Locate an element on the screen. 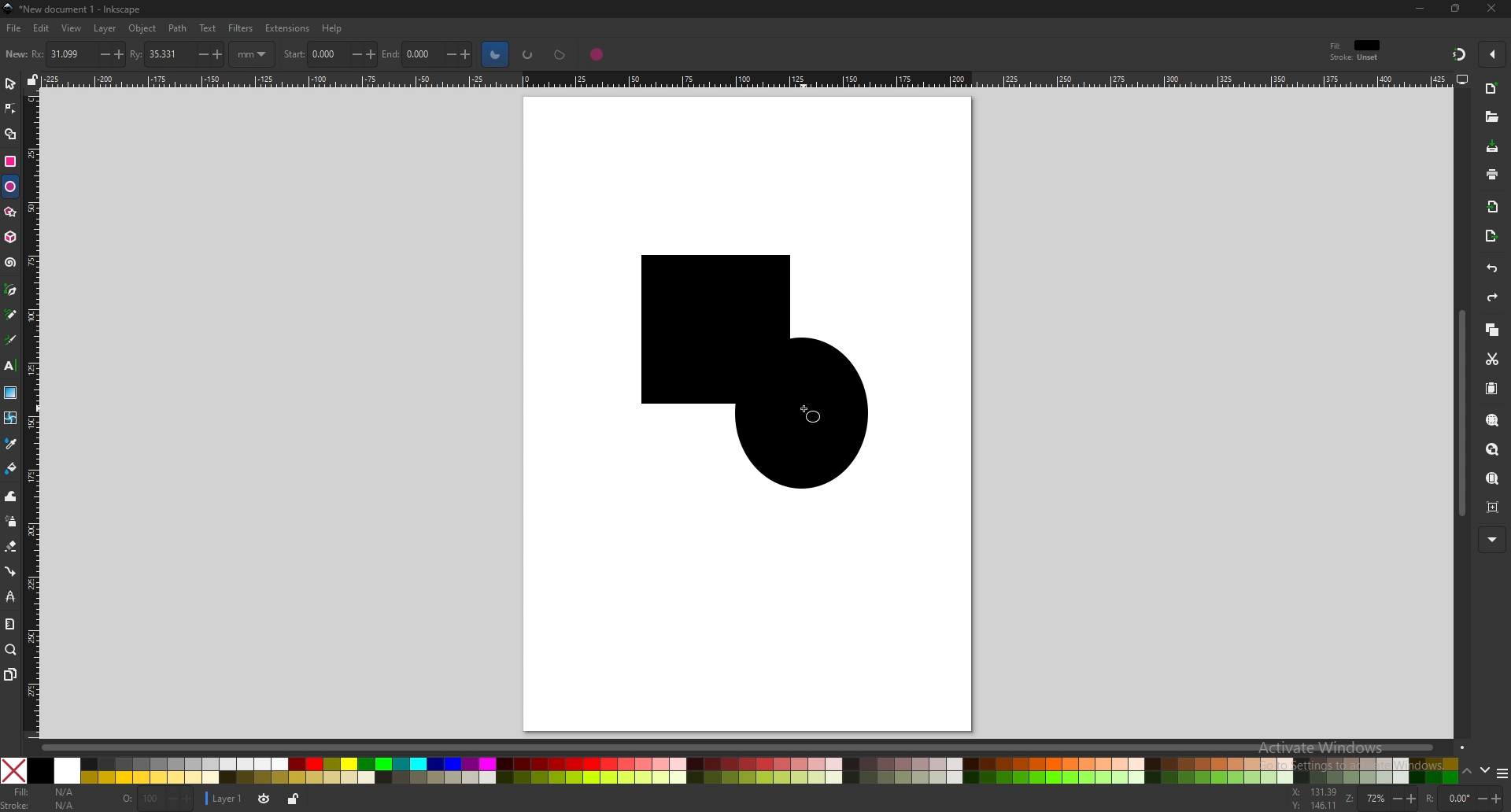  snapping is located at coordinates (1457, 54).